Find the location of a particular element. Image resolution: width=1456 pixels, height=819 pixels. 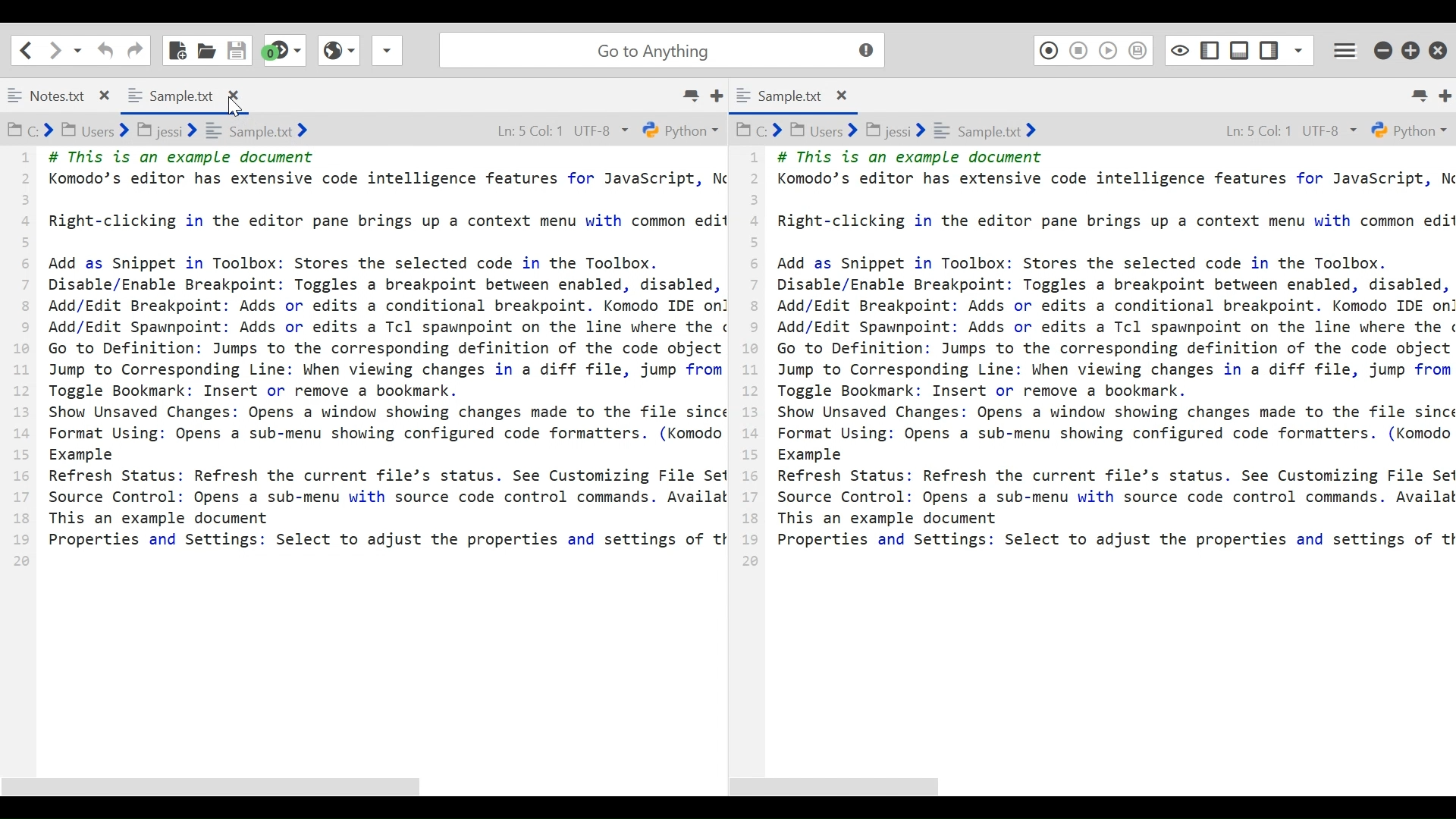

Show/Hide Left Pane is located at coordinates (1269, 49).